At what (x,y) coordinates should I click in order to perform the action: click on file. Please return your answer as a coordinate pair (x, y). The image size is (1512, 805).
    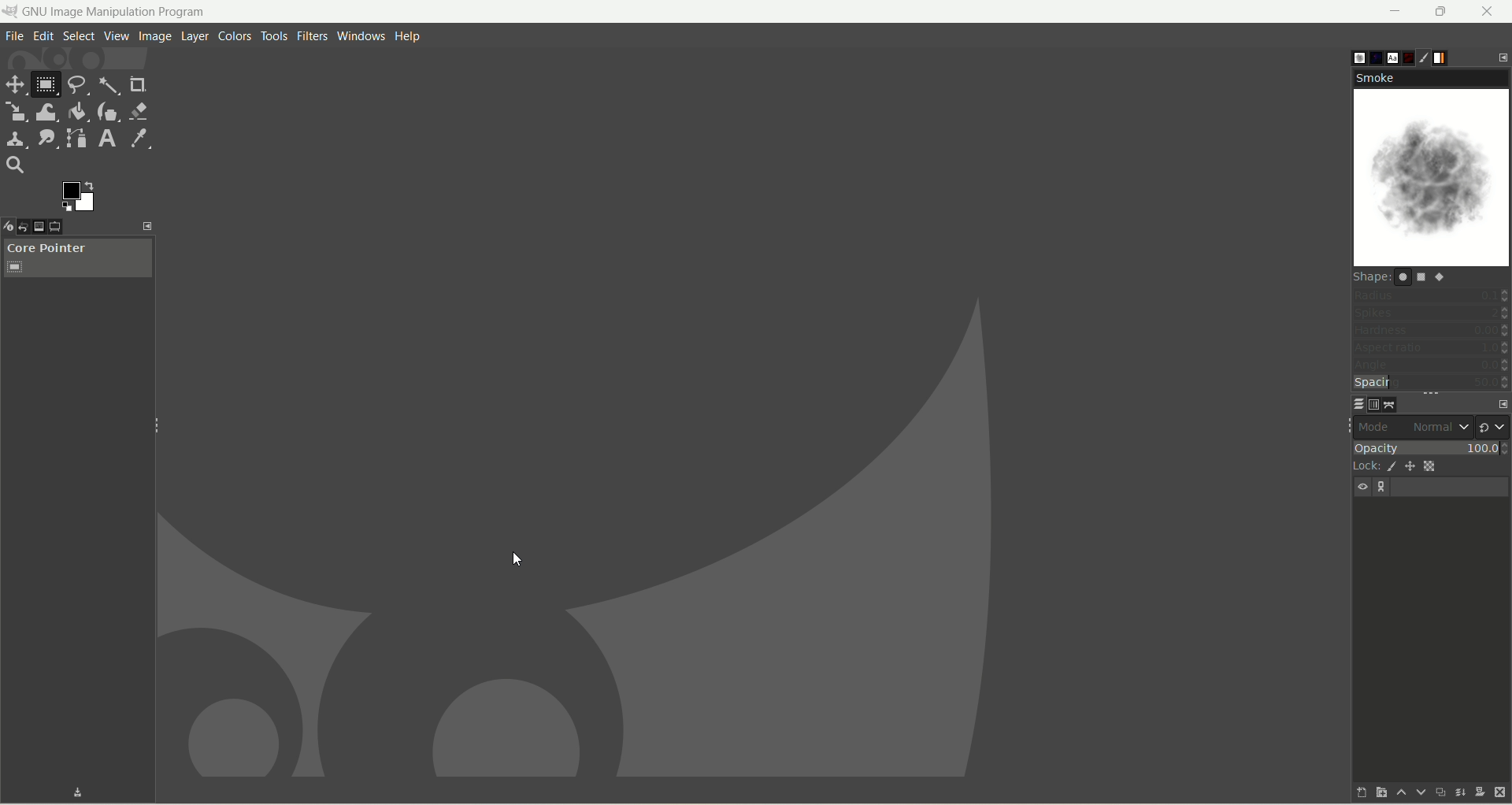
    Looking at the image, I should click on (15, 38).